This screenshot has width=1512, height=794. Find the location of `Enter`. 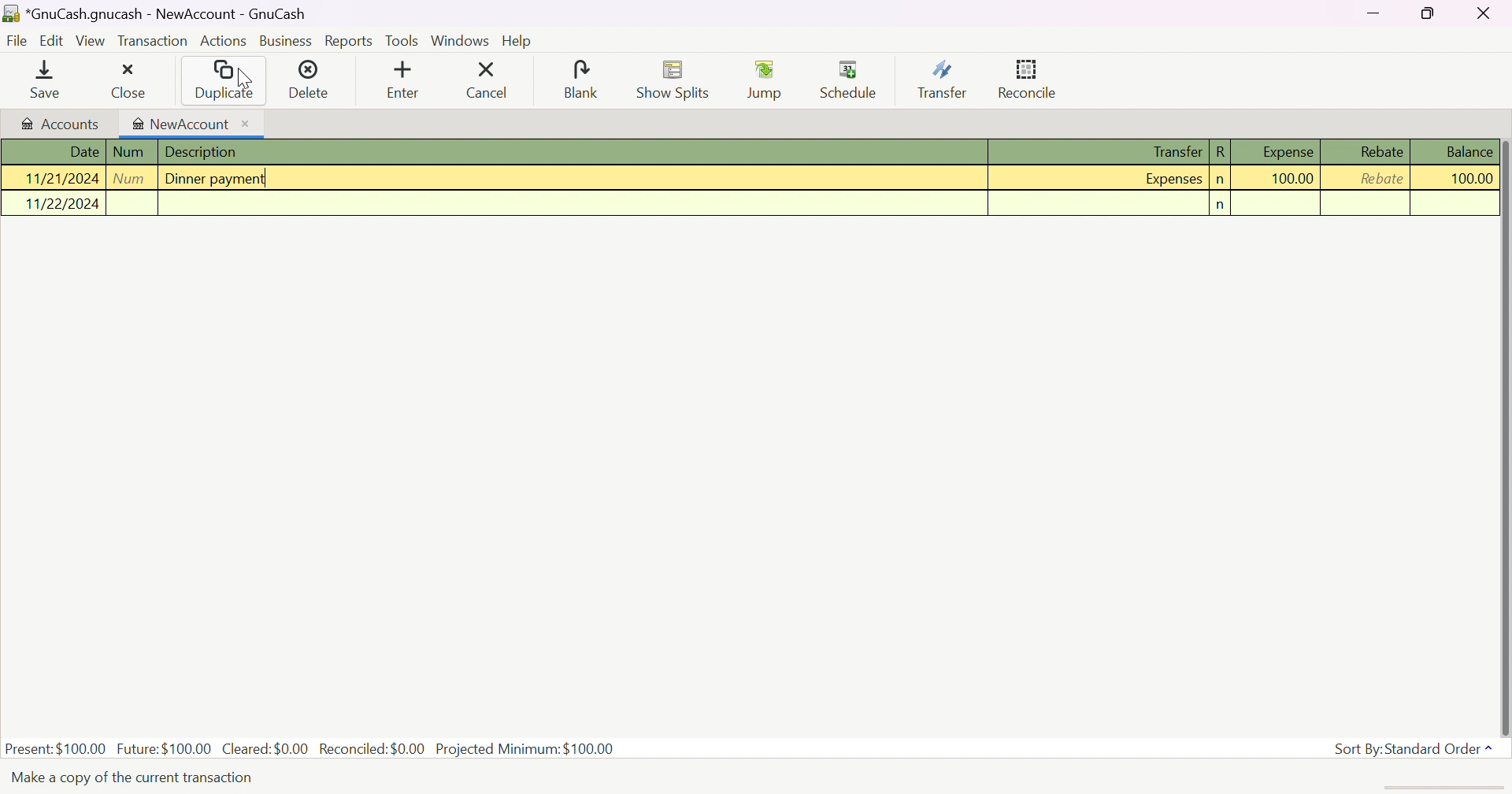

Enter is located at coordinates (403, 82).